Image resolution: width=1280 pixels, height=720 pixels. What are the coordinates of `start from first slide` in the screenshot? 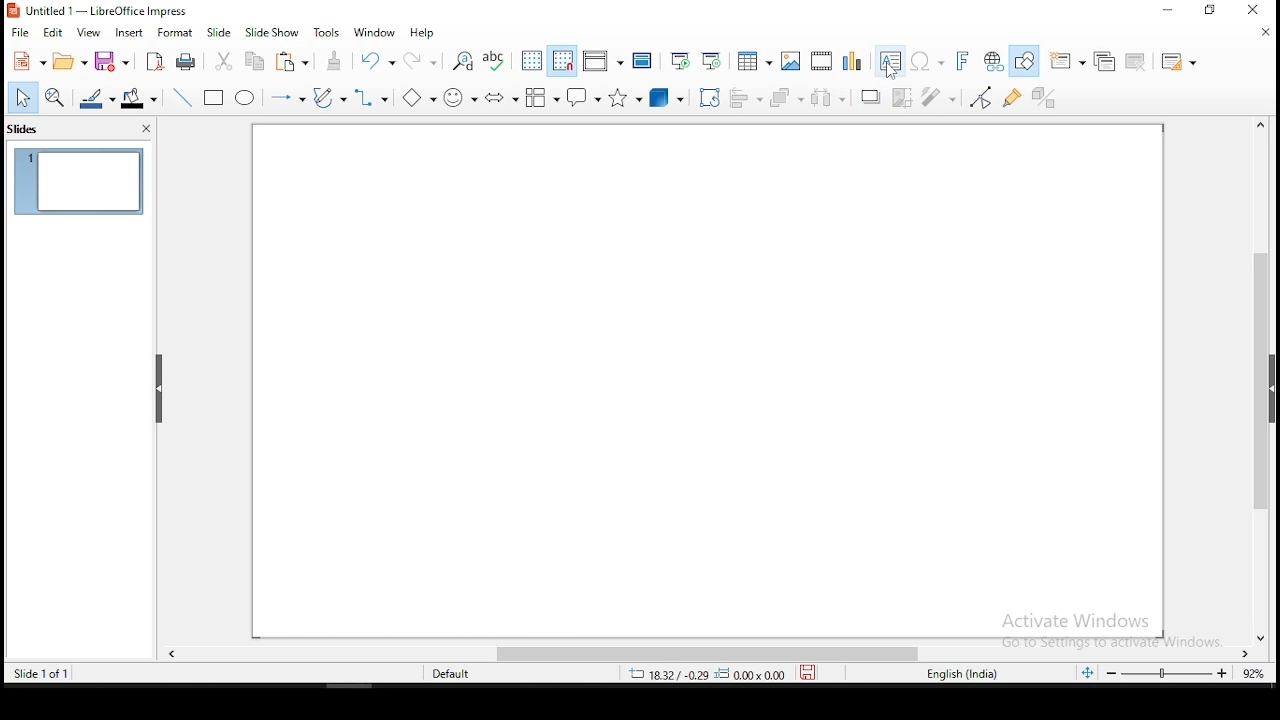 It's located at (679, 60).